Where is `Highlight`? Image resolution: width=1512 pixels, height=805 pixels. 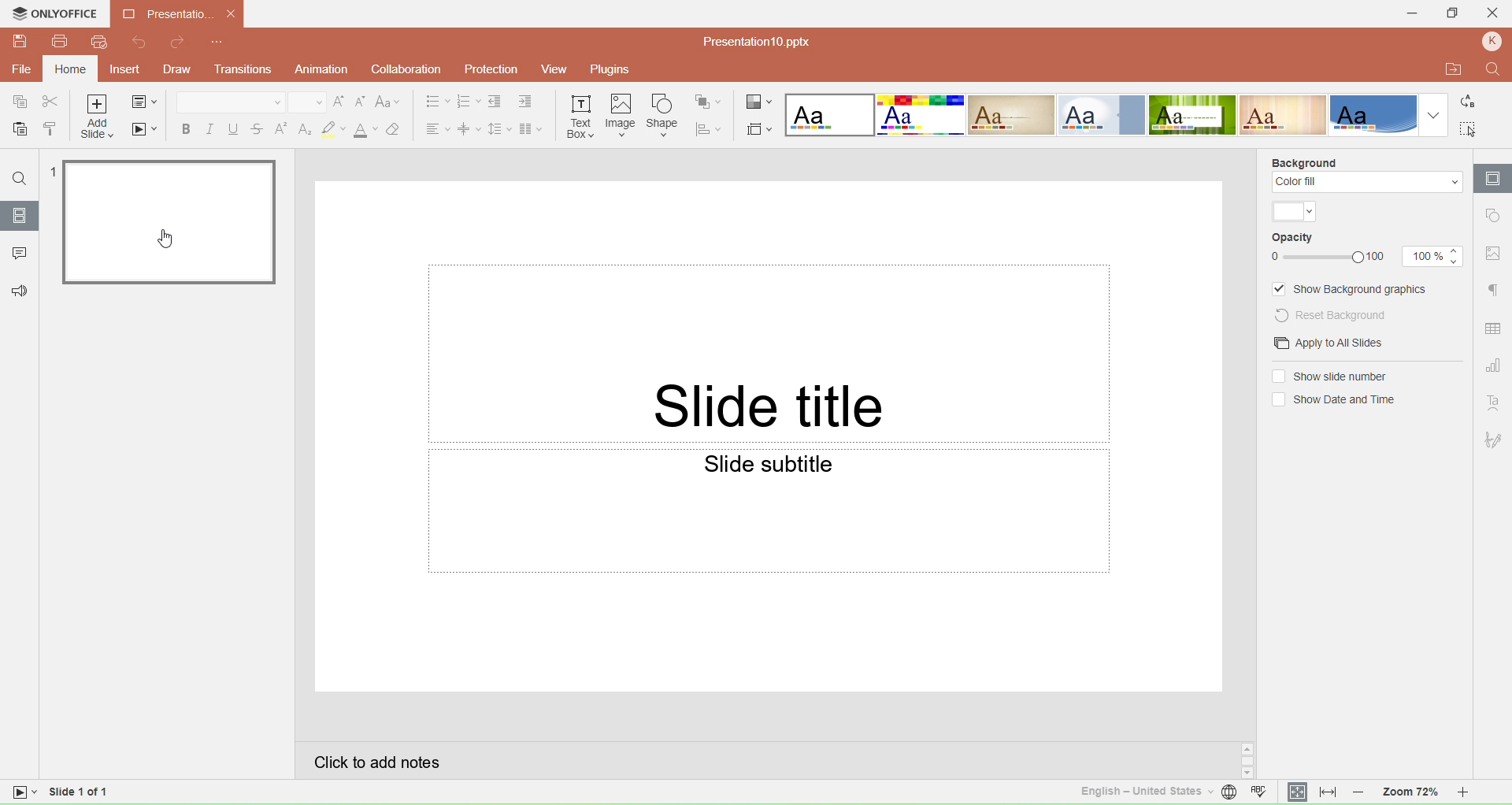
Highlight is located at coordinates (332, 129).